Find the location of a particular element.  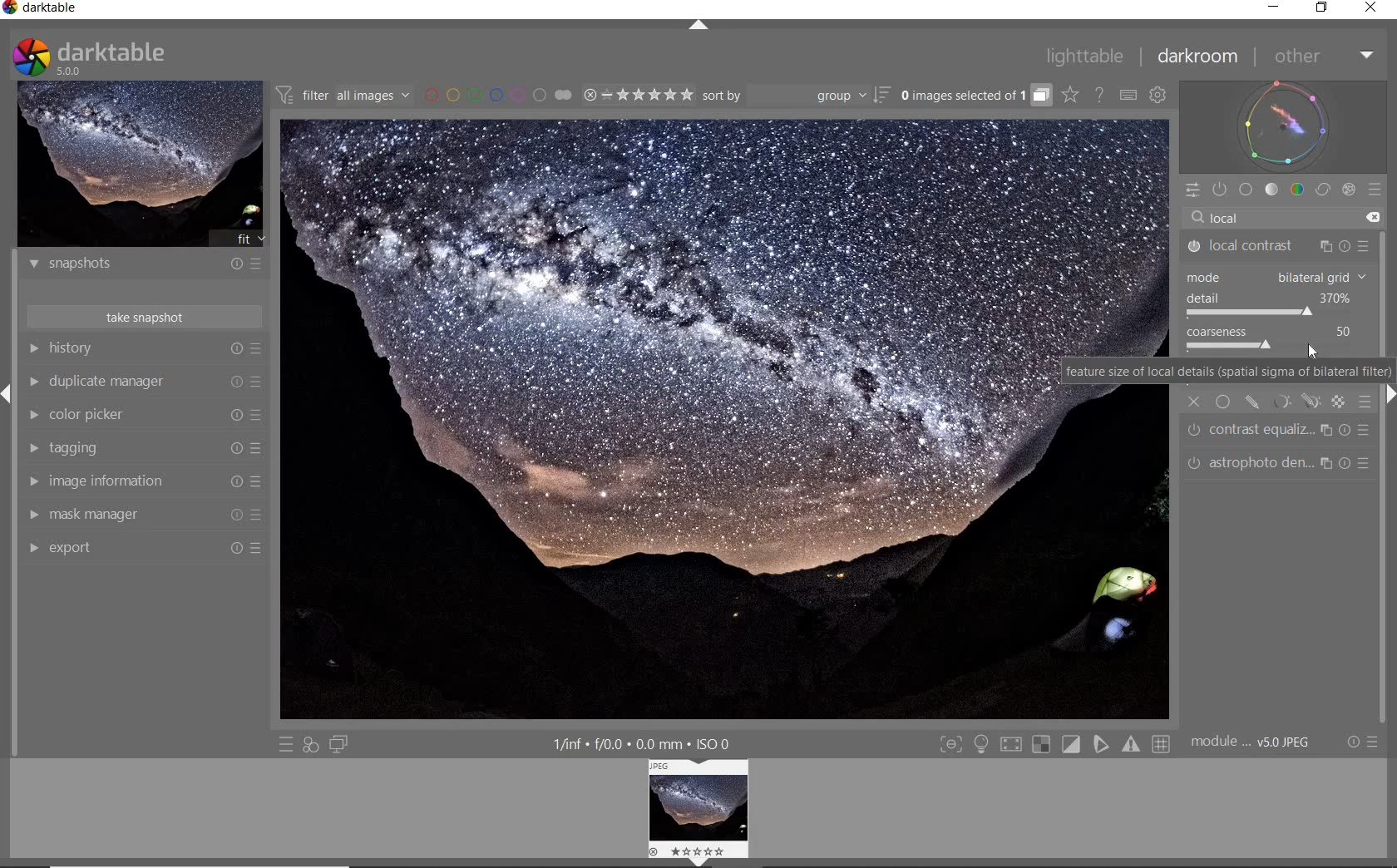

DARKROOM is located at coordinates (1206, 57).